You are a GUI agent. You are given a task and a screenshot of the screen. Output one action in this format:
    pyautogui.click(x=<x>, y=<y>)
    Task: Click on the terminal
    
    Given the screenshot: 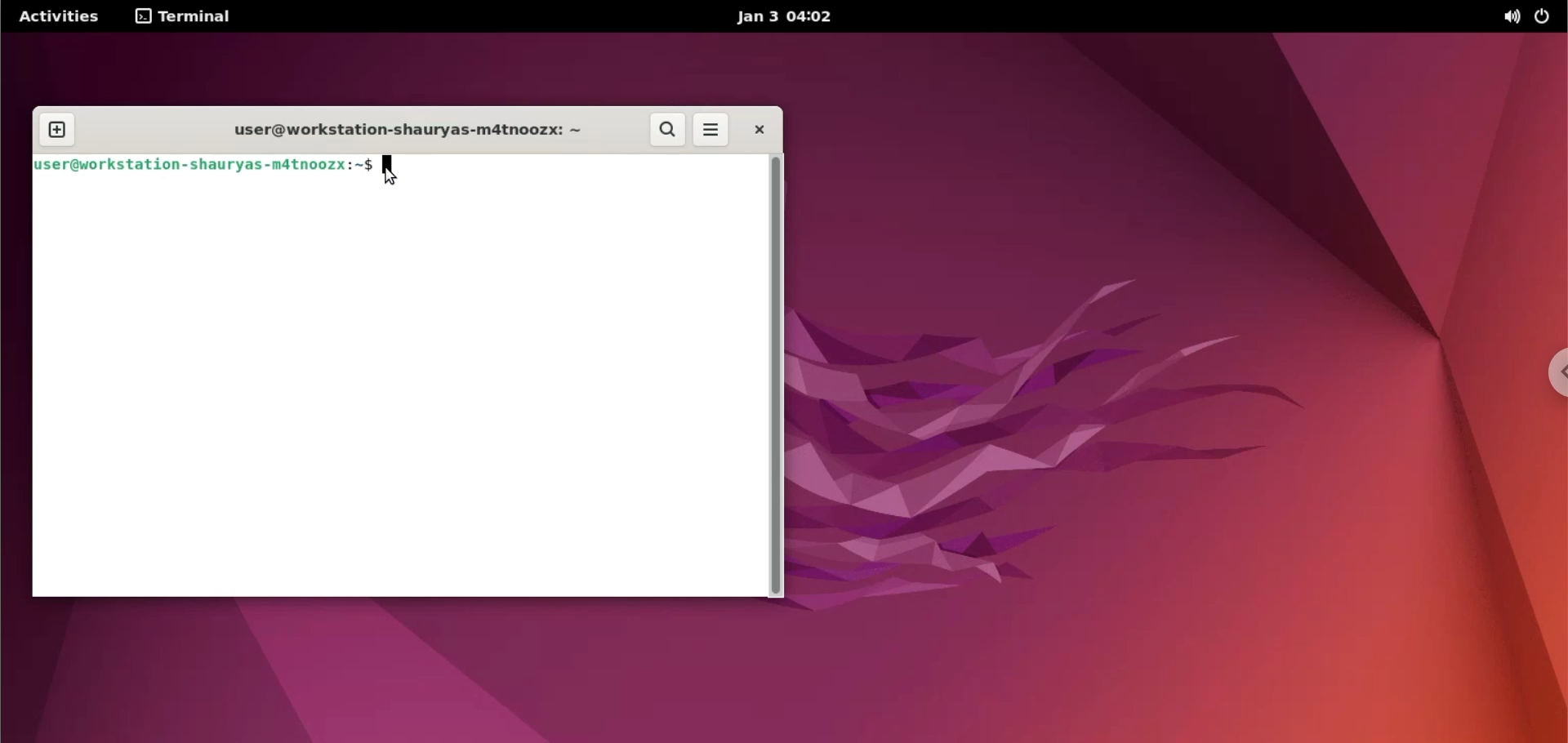 What is the action you would take?
    pyautogui.click(x=188, y=18)
    